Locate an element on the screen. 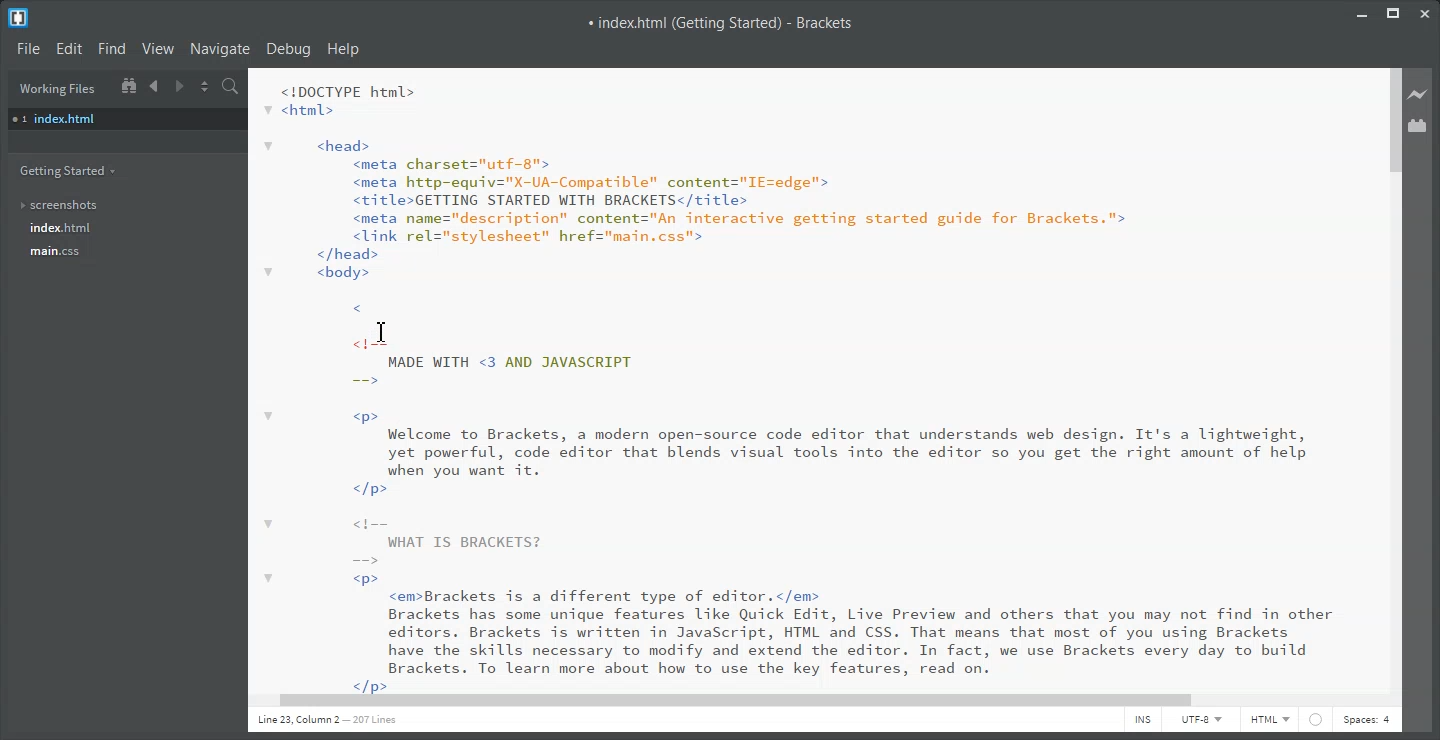 This screenshot has height=740, width=1440. HTML is located at coordinates (1271, 721).